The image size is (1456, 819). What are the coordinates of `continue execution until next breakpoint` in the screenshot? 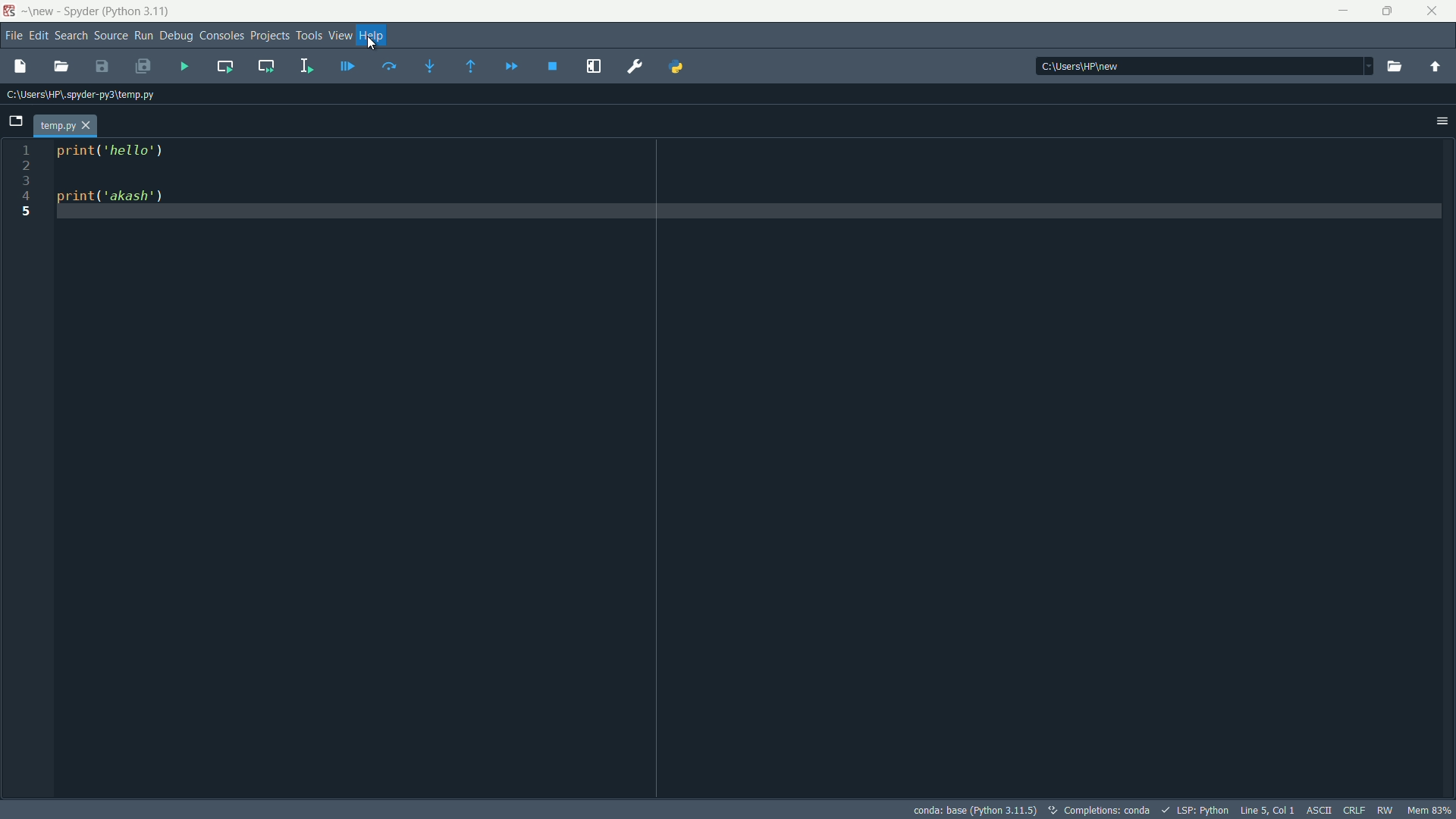 It's located at (513, 67).